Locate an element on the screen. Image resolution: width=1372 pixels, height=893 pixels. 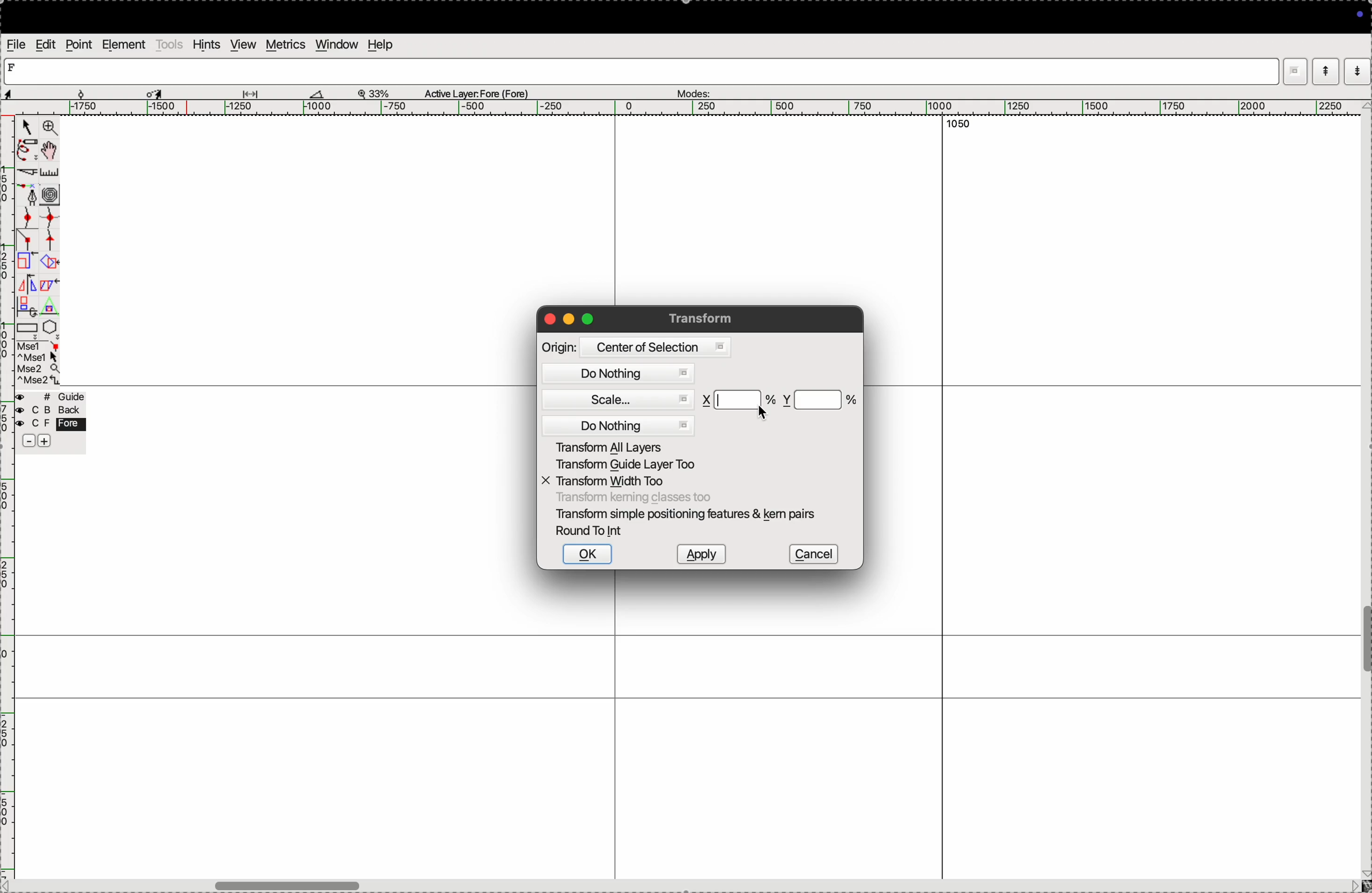
letter F is located at coordinates (14, 67).